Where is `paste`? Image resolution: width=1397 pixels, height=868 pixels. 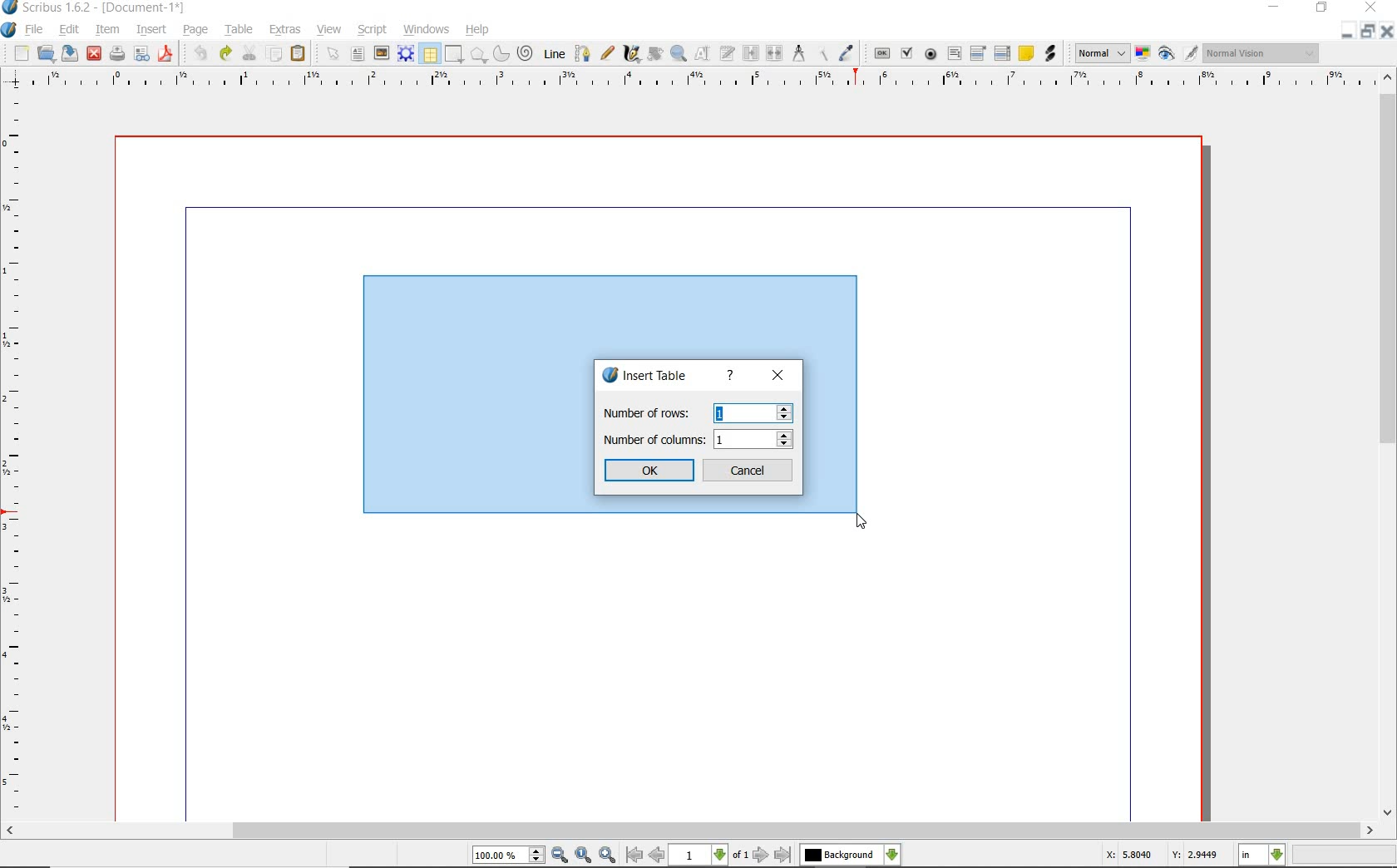 paste is located at coordinates (298, 53).